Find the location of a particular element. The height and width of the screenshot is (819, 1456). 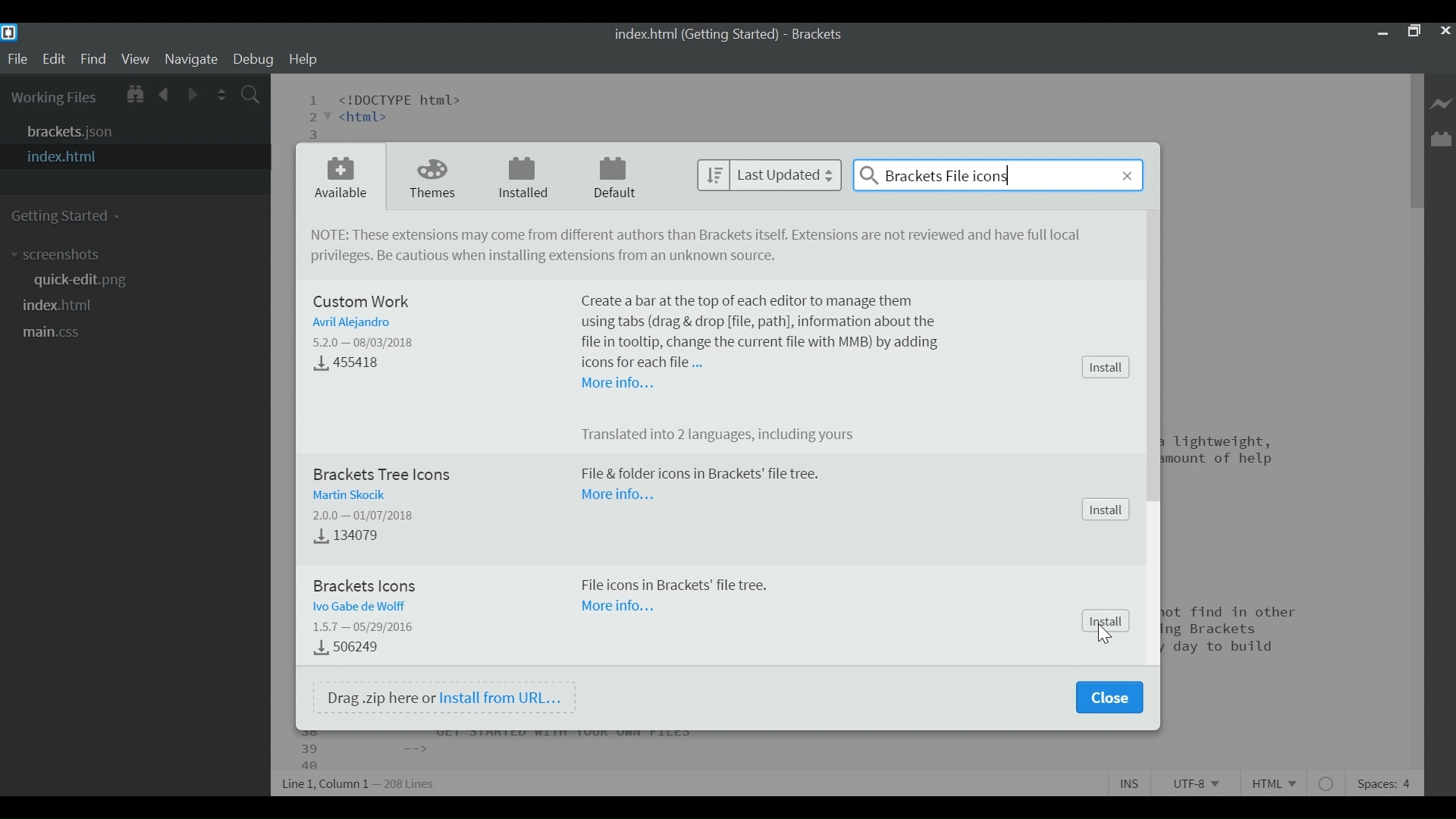

No lintel available for html is located at coordinates (1328, 783).